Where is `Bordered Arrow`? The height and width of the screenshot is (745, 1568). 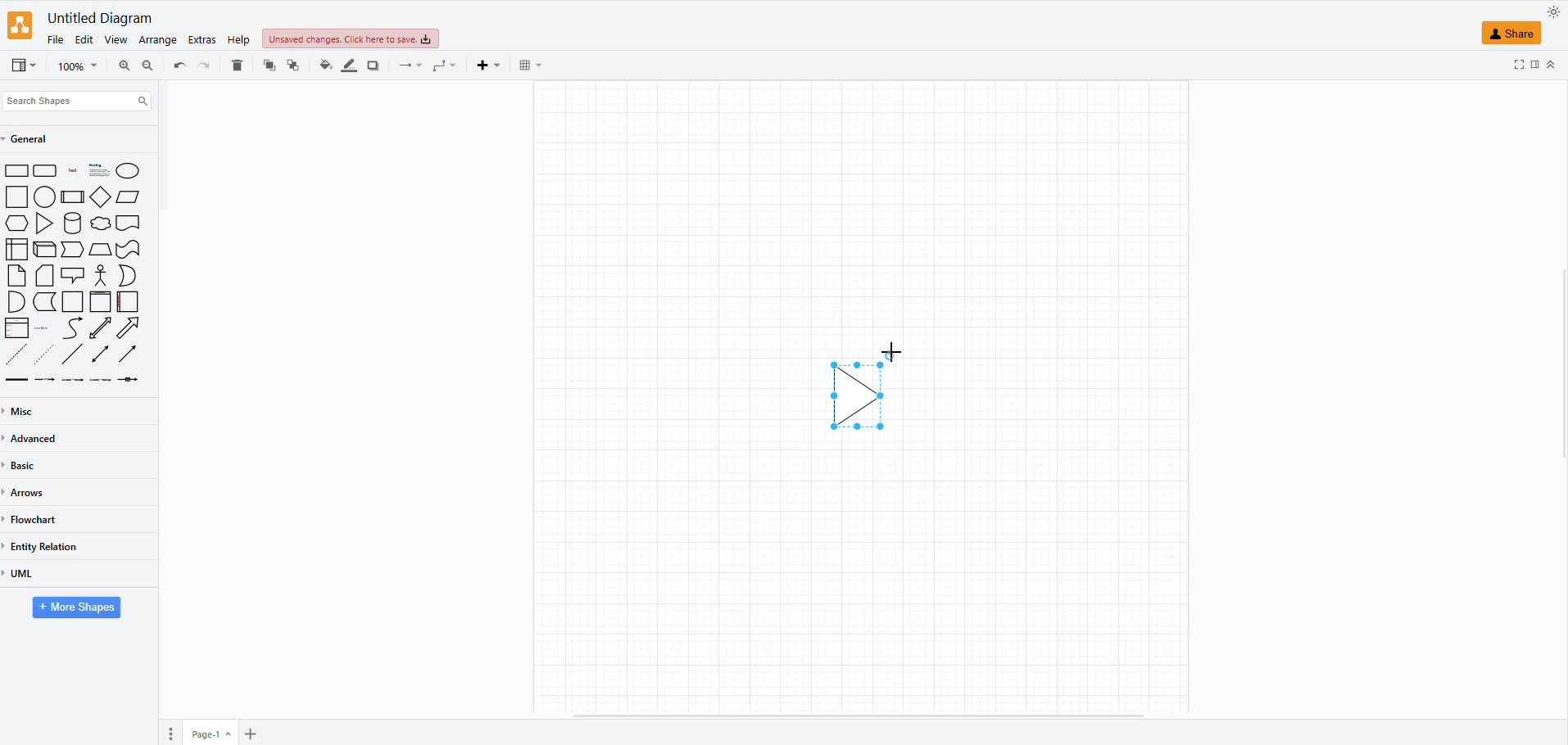 Bordered Arrow is located at coordinates (129, 328).